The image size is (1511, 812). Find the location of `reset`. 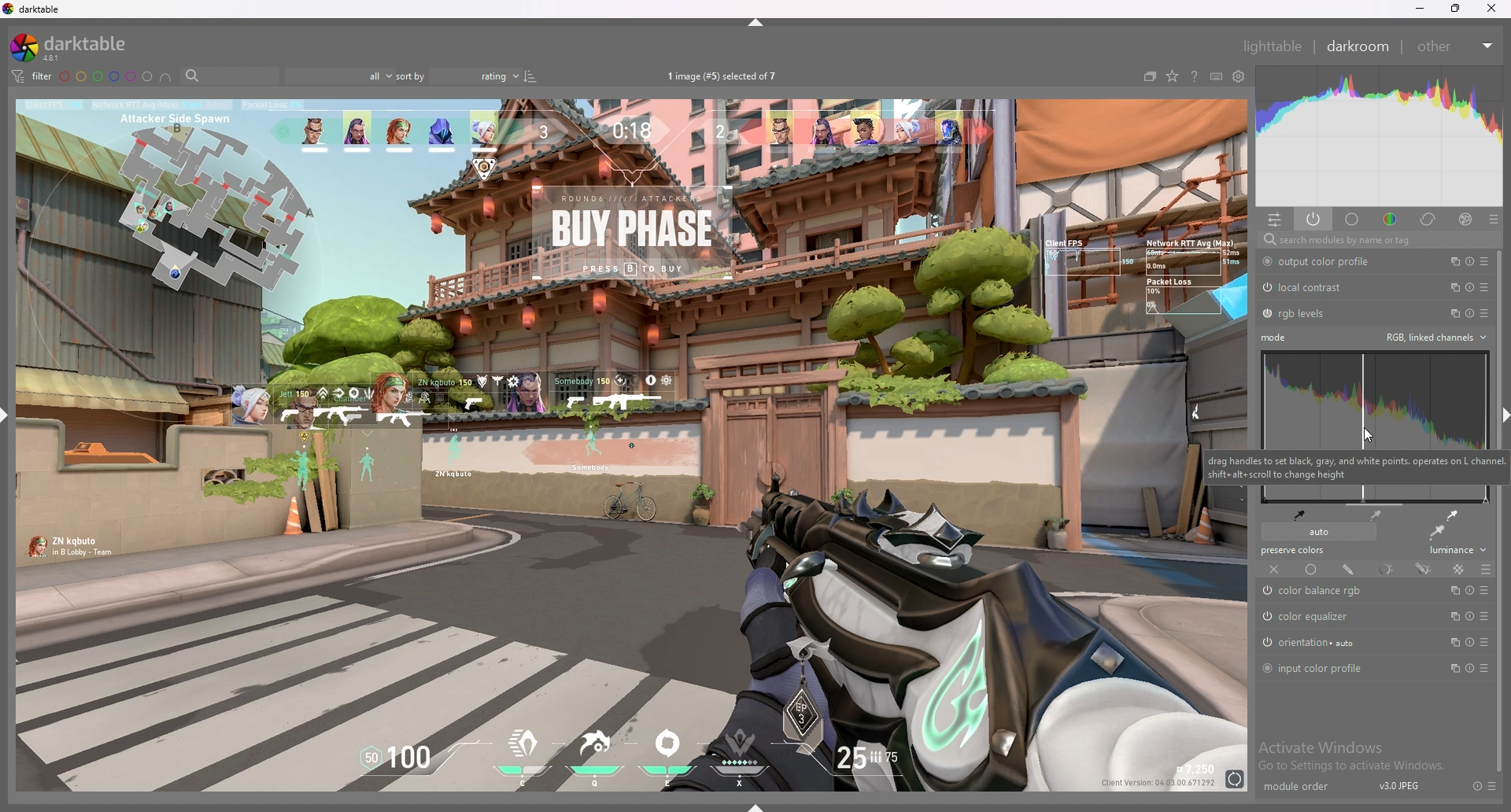

reset is located at coordinates (1469, 287).